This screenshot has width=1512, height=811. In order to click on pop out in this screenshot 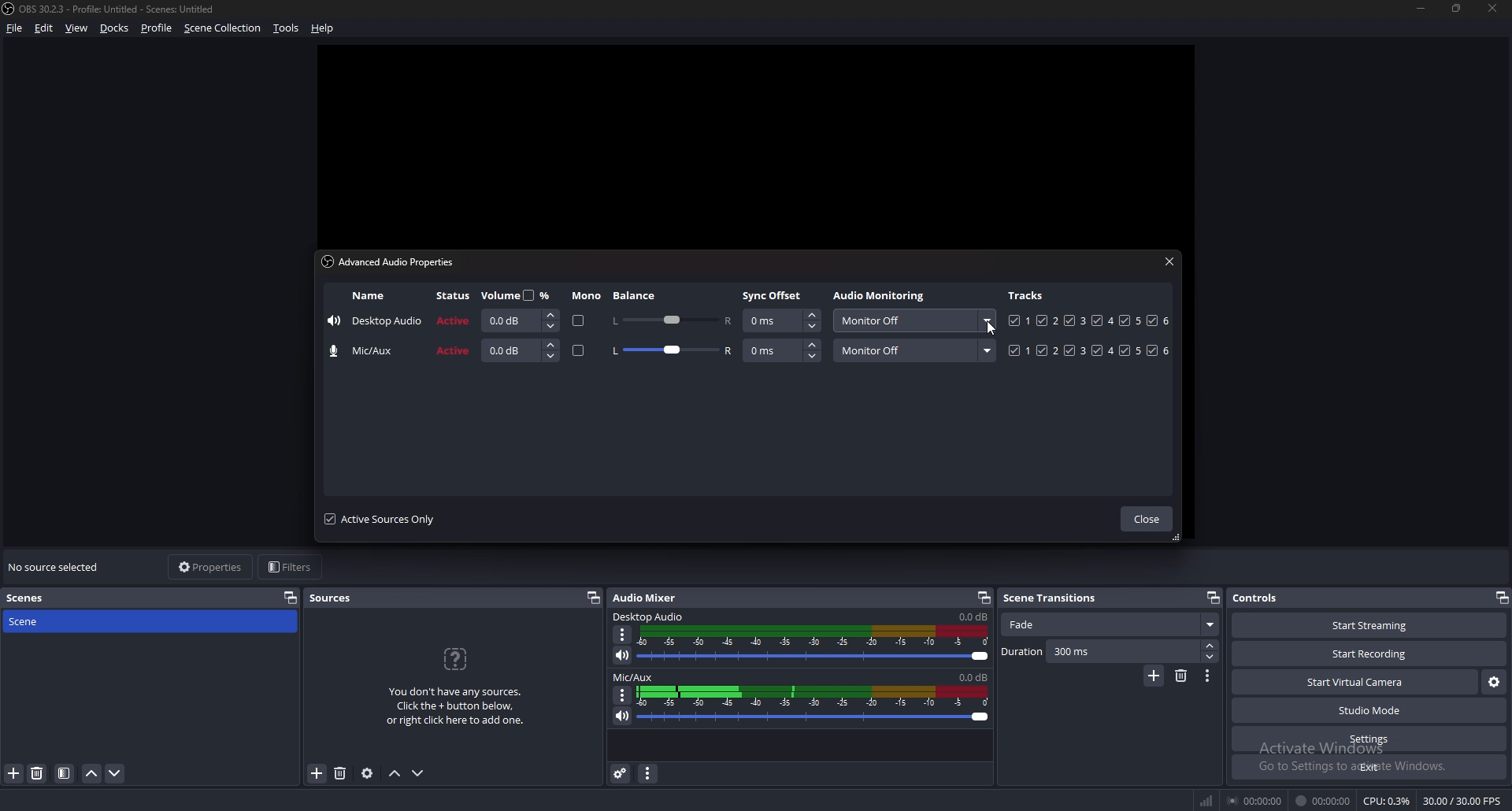, I will do `click(594, 598)`.